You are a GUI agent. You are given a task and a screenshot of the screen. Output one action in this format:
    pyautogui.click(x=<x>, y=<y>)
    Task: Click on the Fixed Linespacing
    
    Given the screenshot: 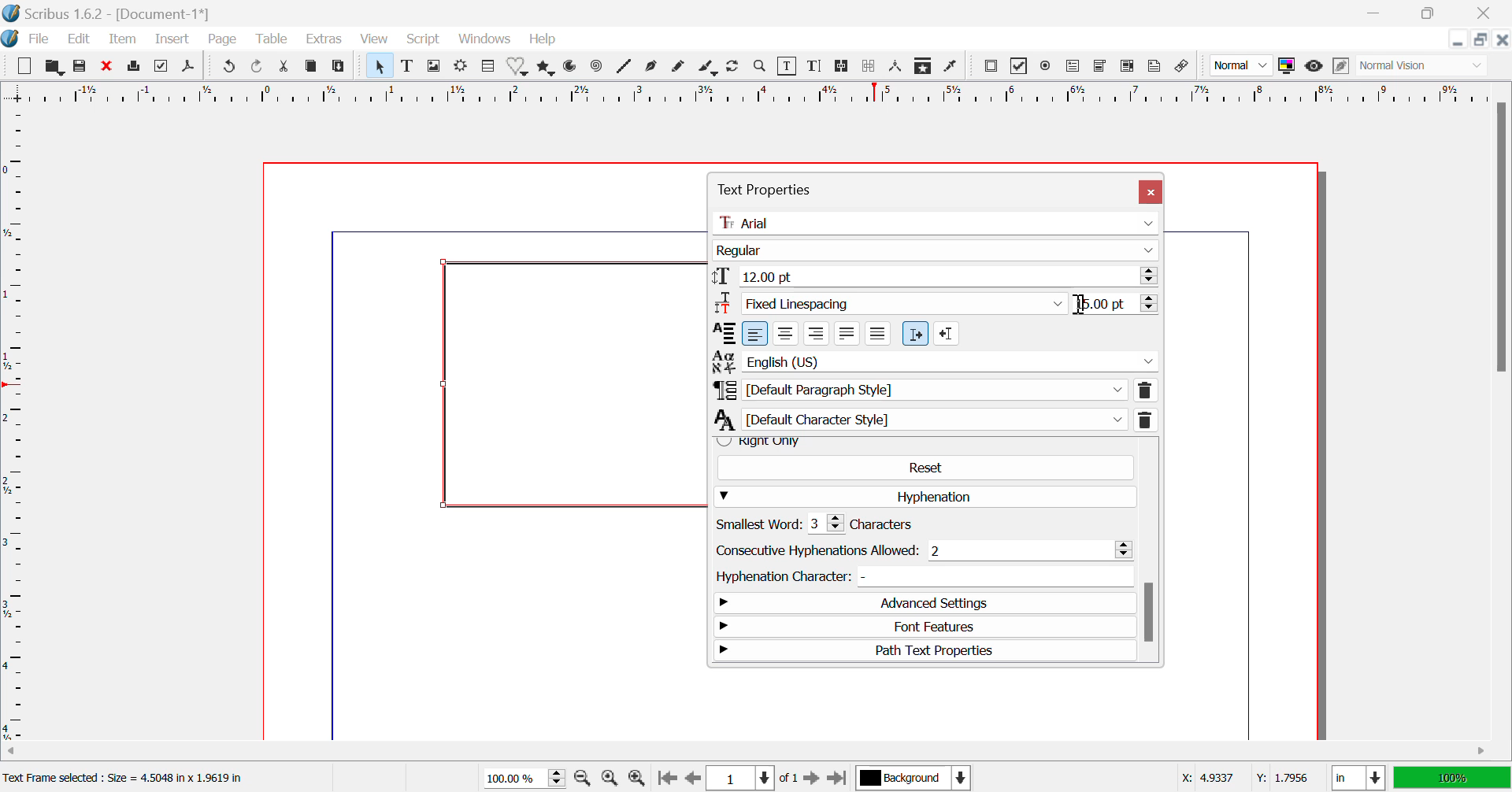 What is the action you would take?
    pyautogui.click(x=894, y=303)
    